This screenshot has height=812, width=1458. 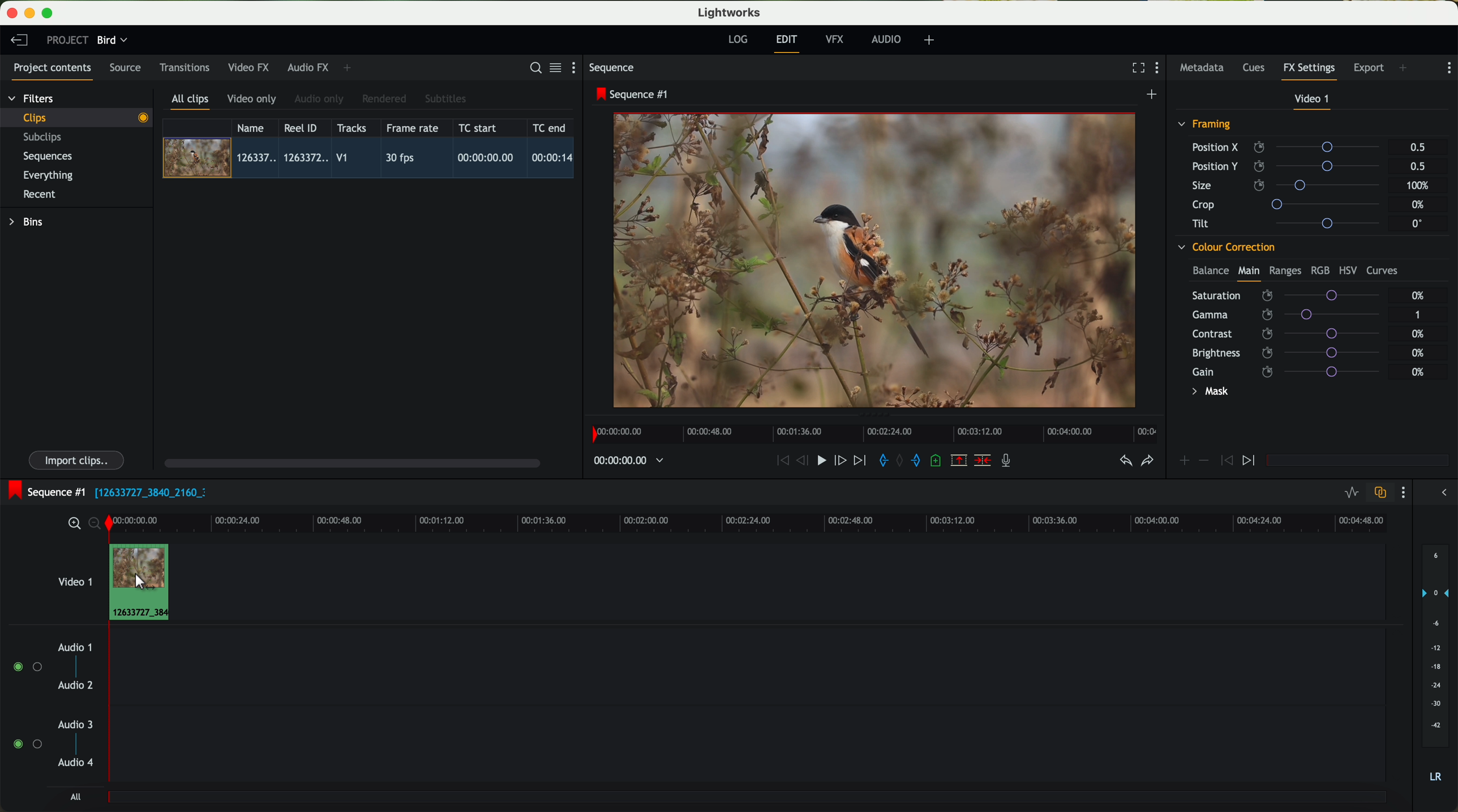 What do you see at coordinates (1290, 147) in the screenshot?
I see `position X` at bounding box center [1290, 147].